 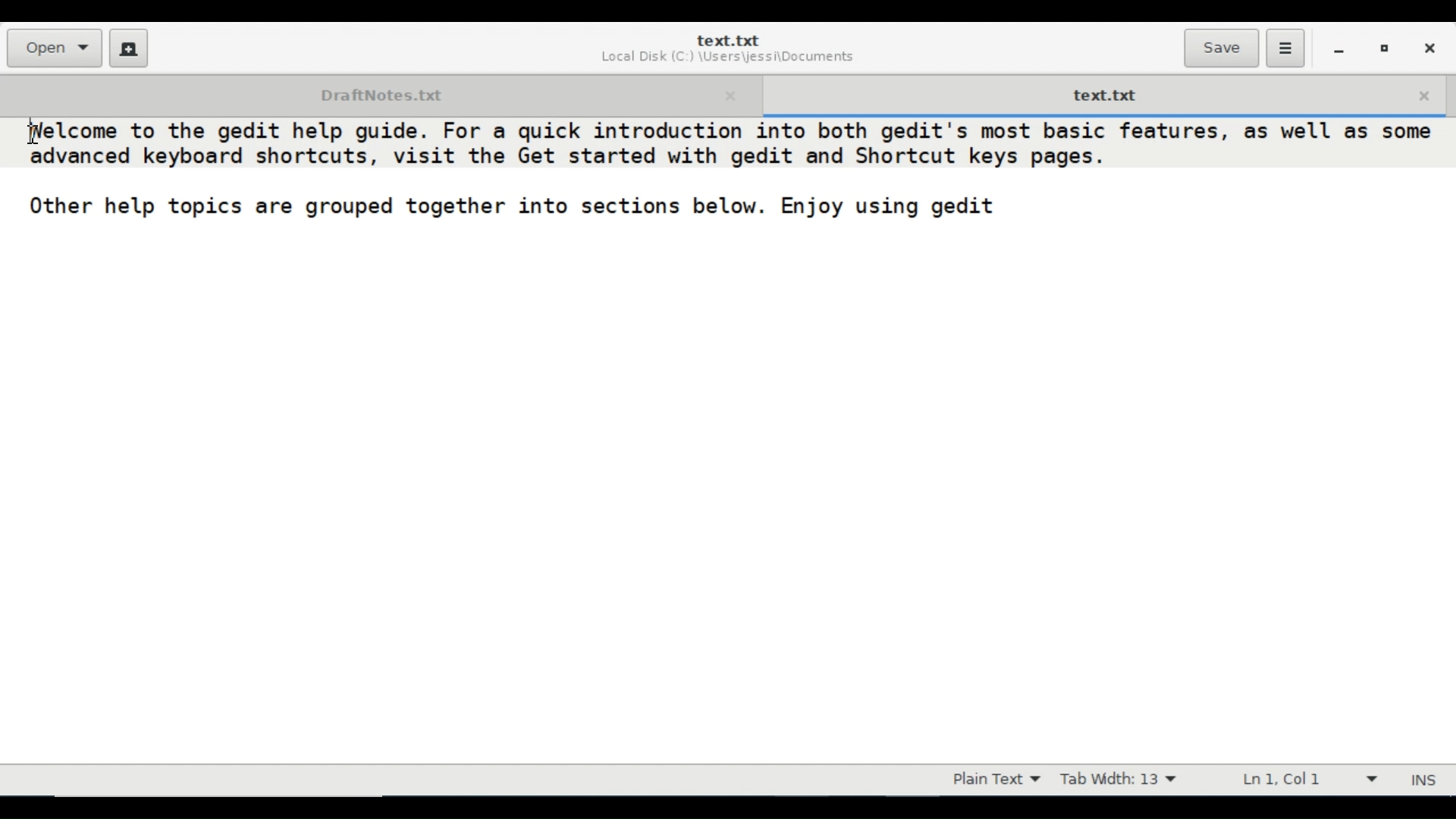 What do you see at coordinates (727, 40) in the screenshot?
I see `Document Name` at bounding box center [727, 40].